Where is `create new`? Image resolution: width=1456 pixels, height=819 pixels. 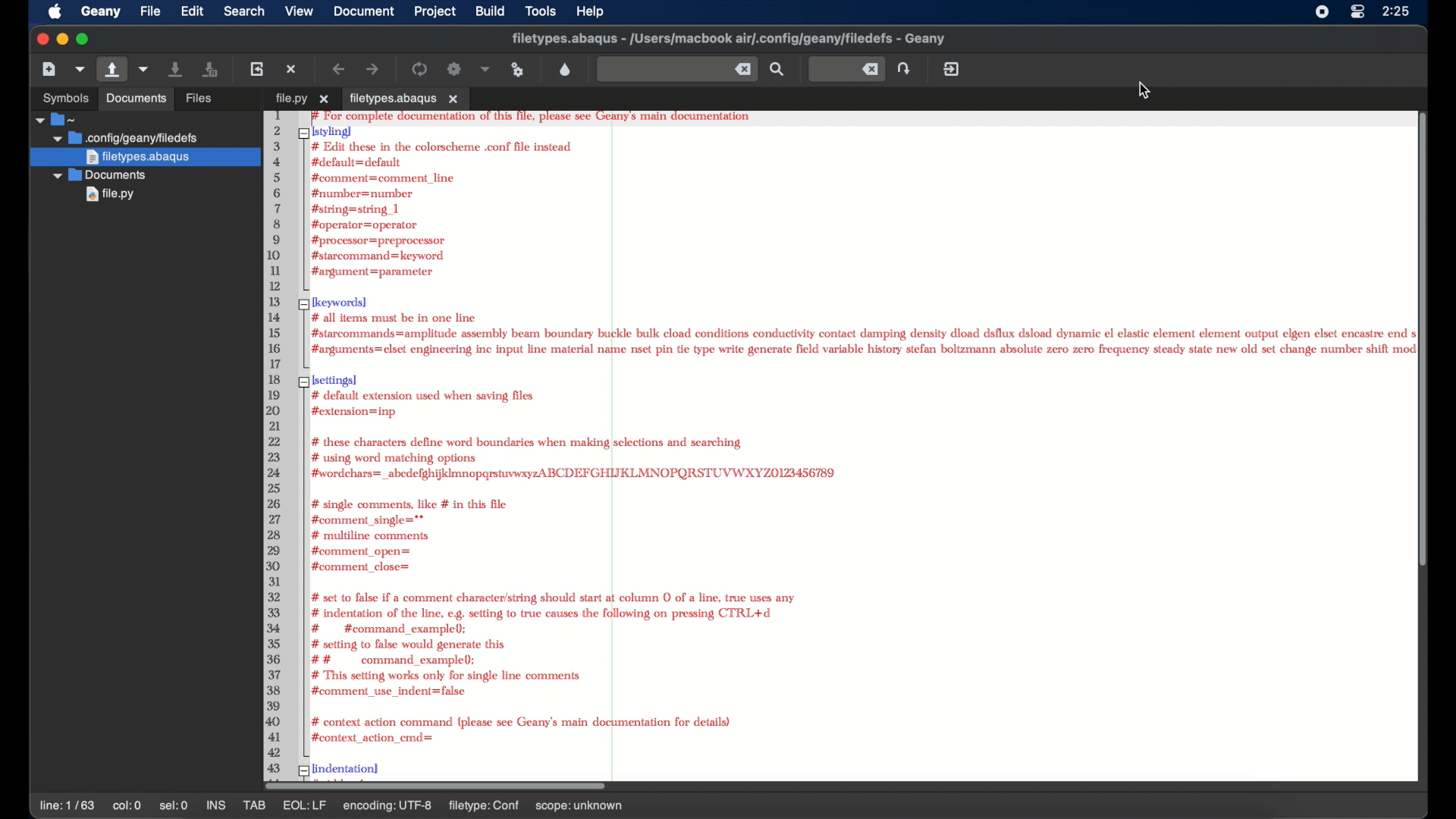
create new is located at coordinates (49, 68).